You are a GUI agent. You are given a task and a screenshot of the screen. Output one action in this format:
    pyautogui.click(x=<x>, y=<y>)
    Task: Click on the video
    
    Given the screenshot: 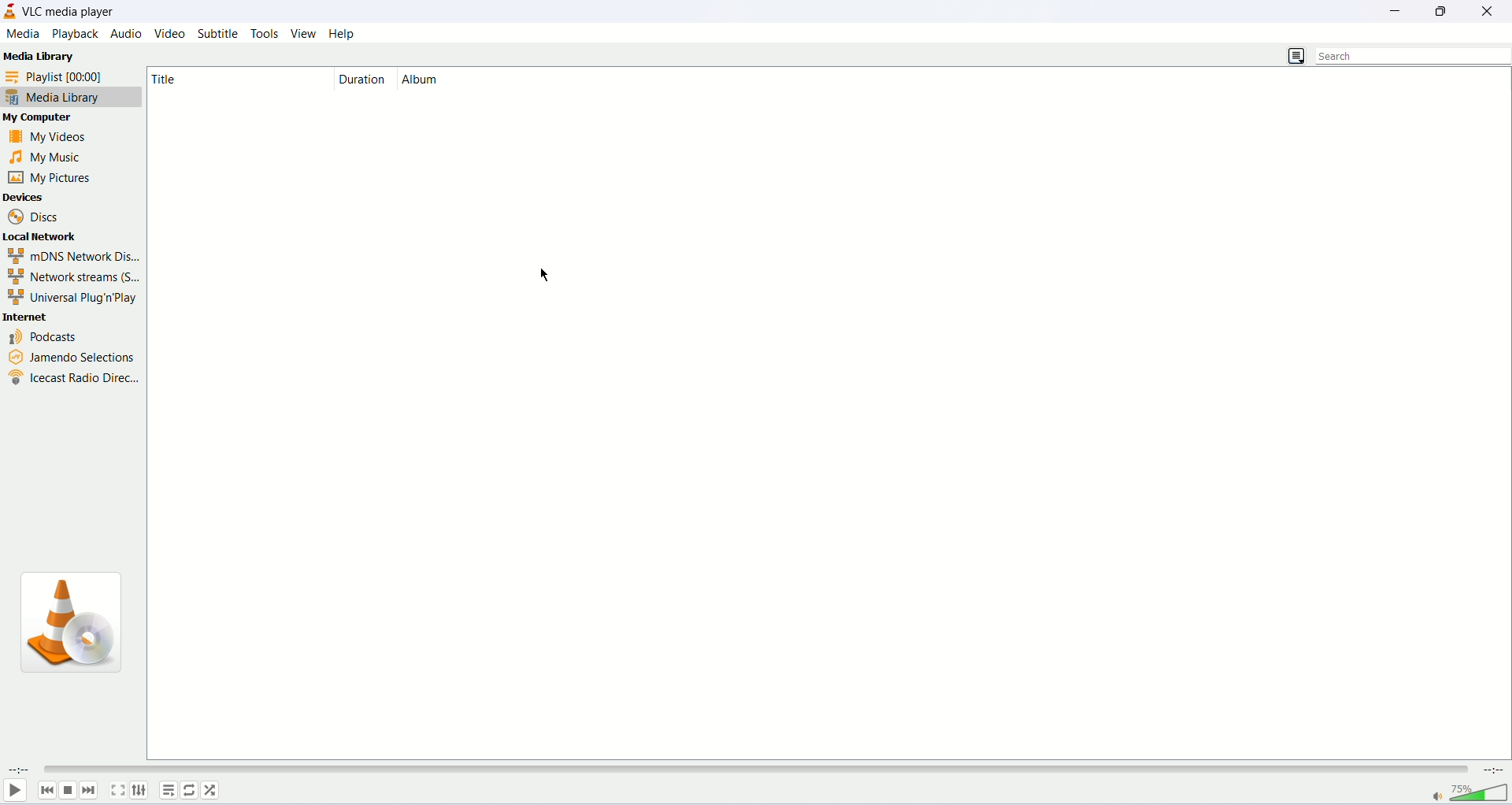 What is the action you would take?
    pyautogui.click(x=171, y=34)
    